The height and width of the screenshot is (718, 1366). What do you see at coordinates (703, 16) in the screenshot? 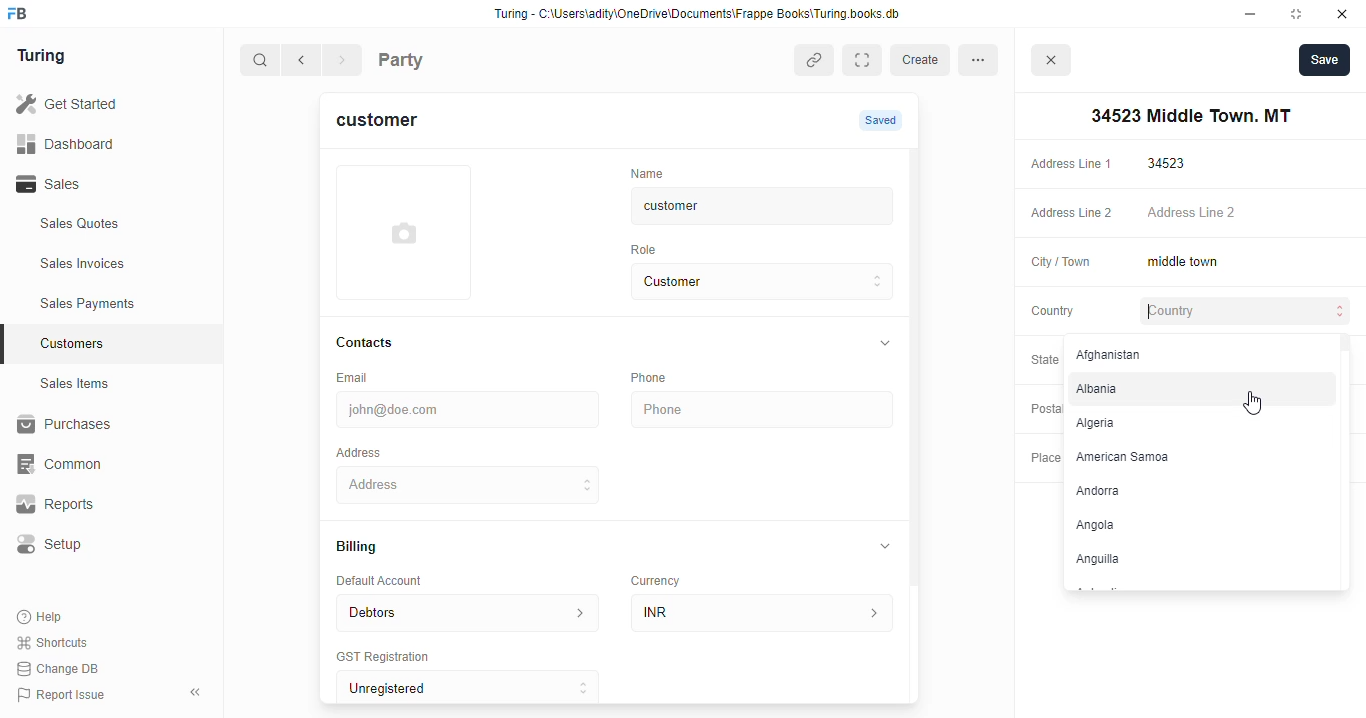
I see `Turing - C:\Users\adity\OneDrive\Documents\Frappe Books\Turing books. db` at bounding box center [703, 16].